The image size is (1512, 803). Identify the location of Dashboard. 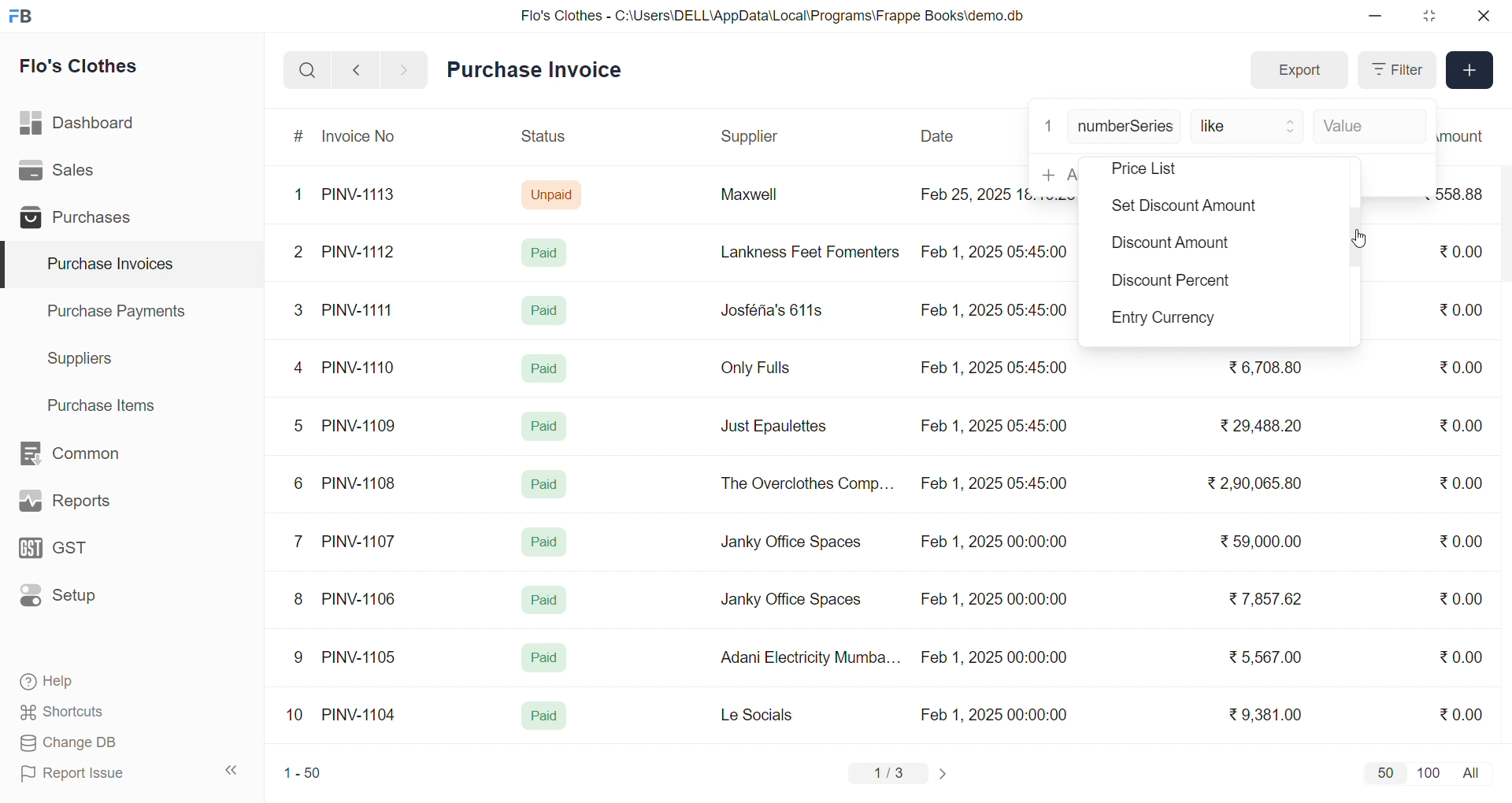
(82, 126).